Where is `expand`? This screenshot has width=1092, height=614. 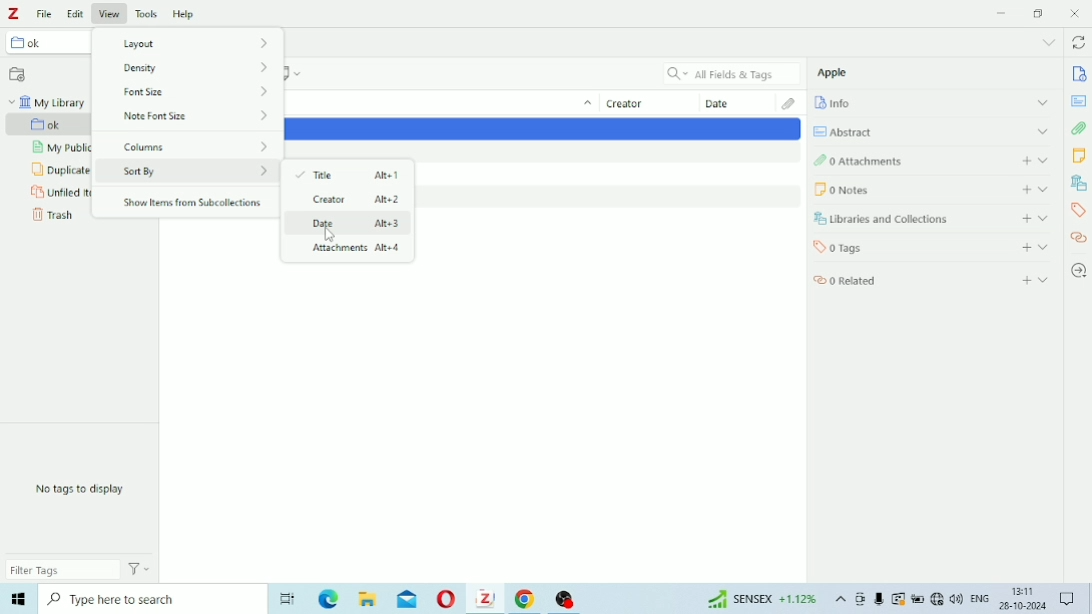 expand is located at coordinates (1048, 282).